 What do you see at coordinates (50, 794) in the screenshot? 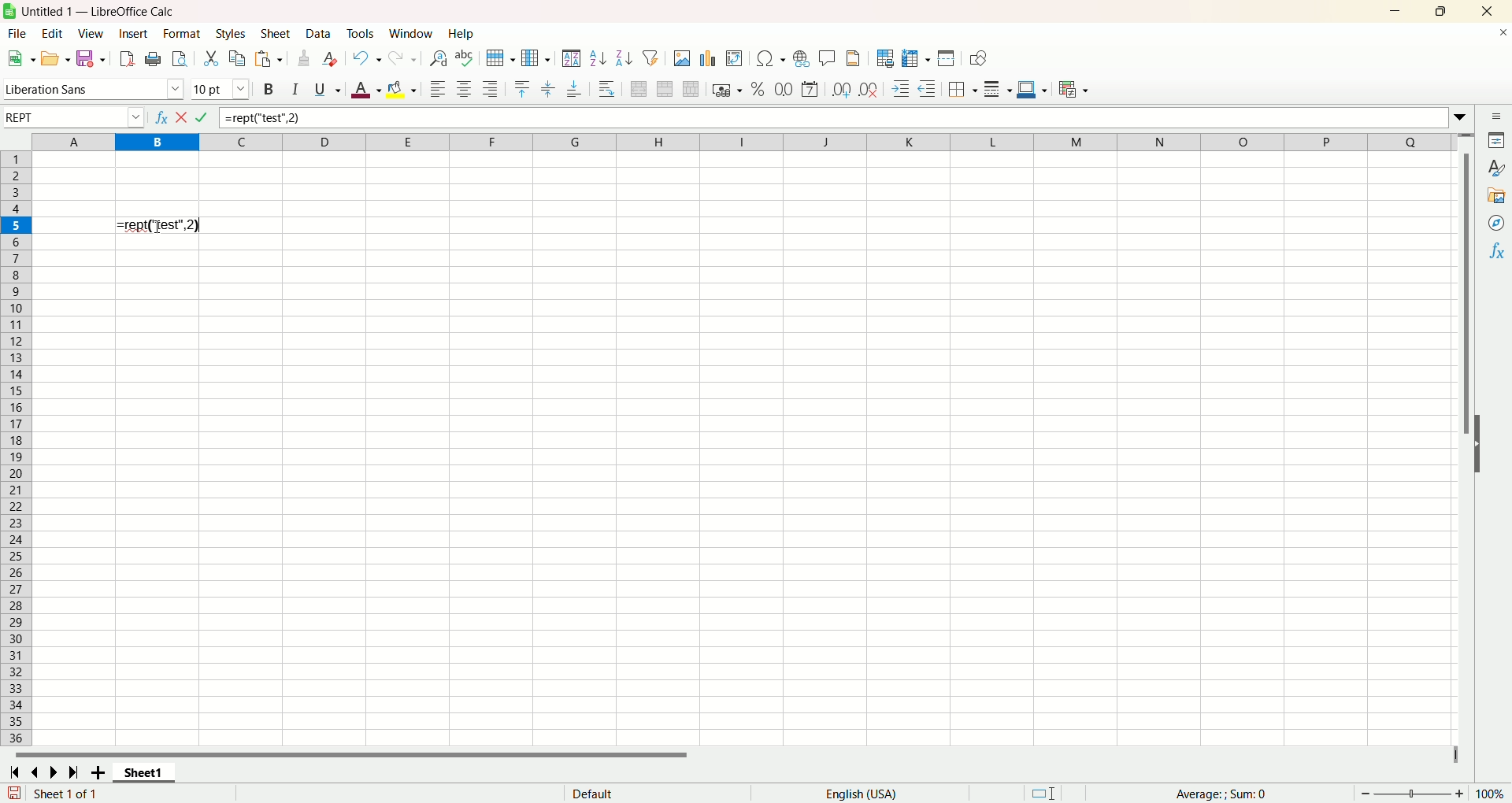
I see `sheet number` at bounding box center [50, 794].